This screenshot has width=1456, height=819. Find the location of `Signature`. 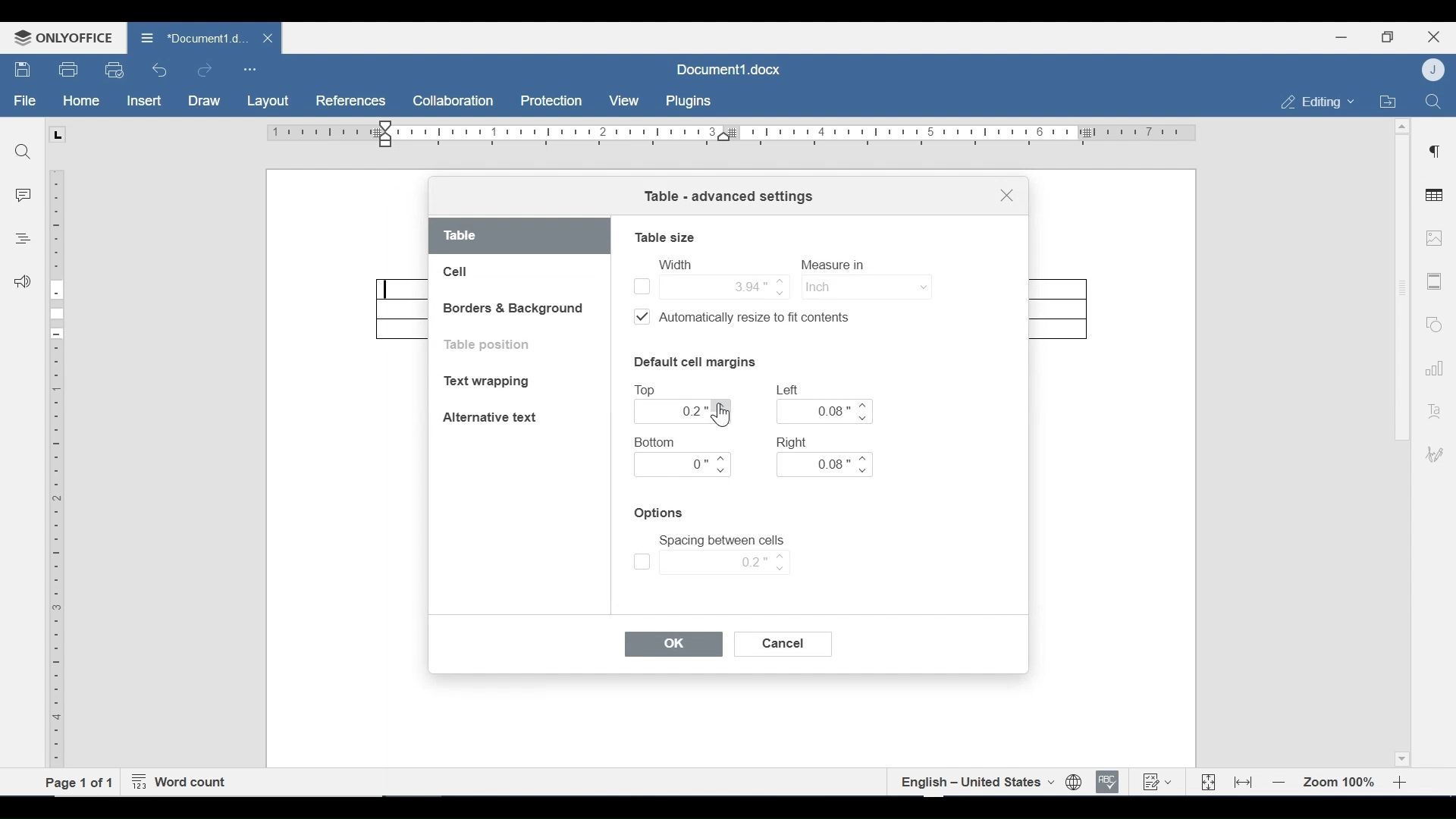

Signature is located at coordinates (1432, 456).